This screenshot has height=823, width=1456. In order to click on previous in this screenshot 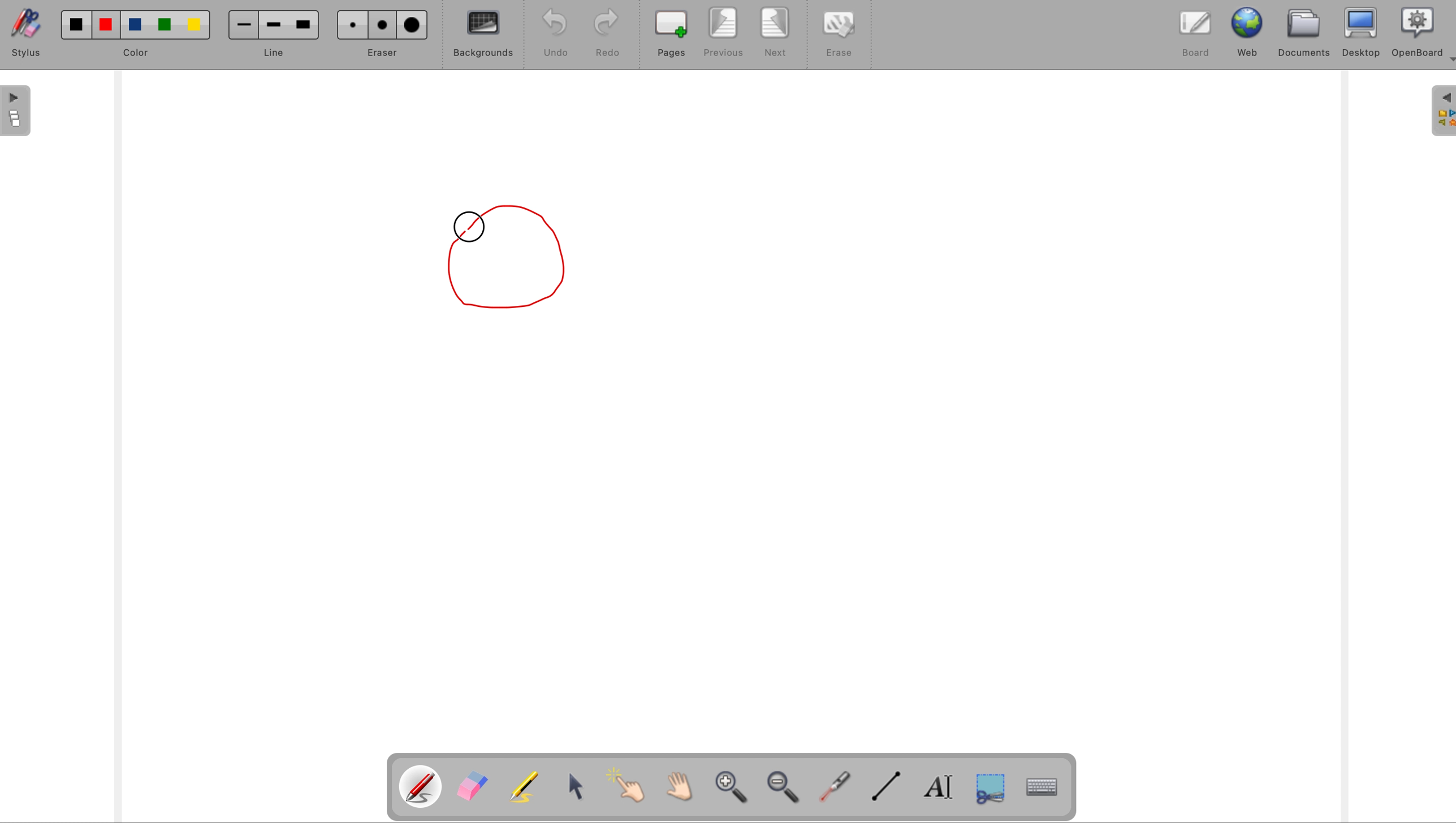, I will do `click(725, 32)`.